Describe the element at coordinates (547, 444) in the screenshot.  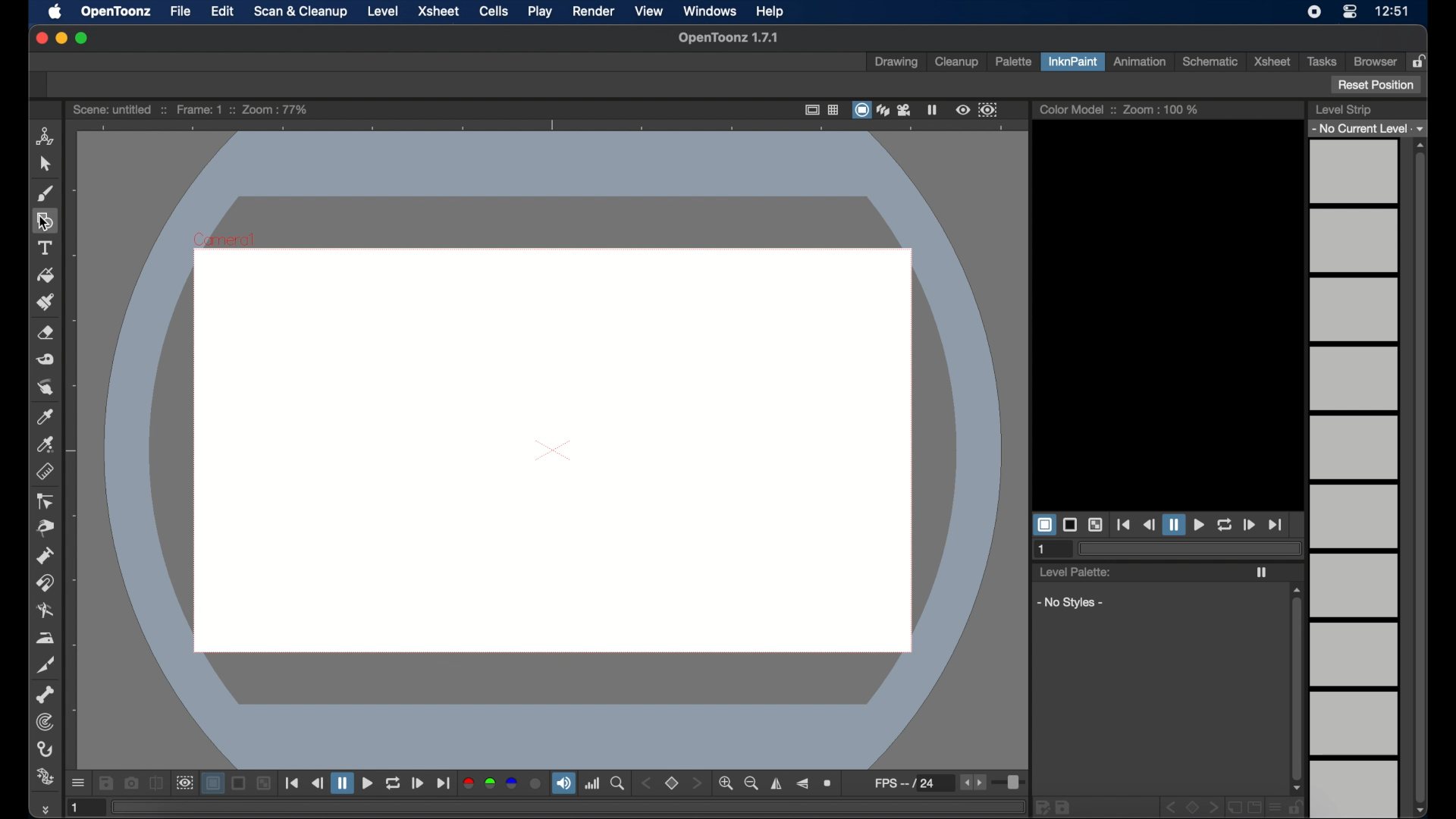
I see `preview` at that location.